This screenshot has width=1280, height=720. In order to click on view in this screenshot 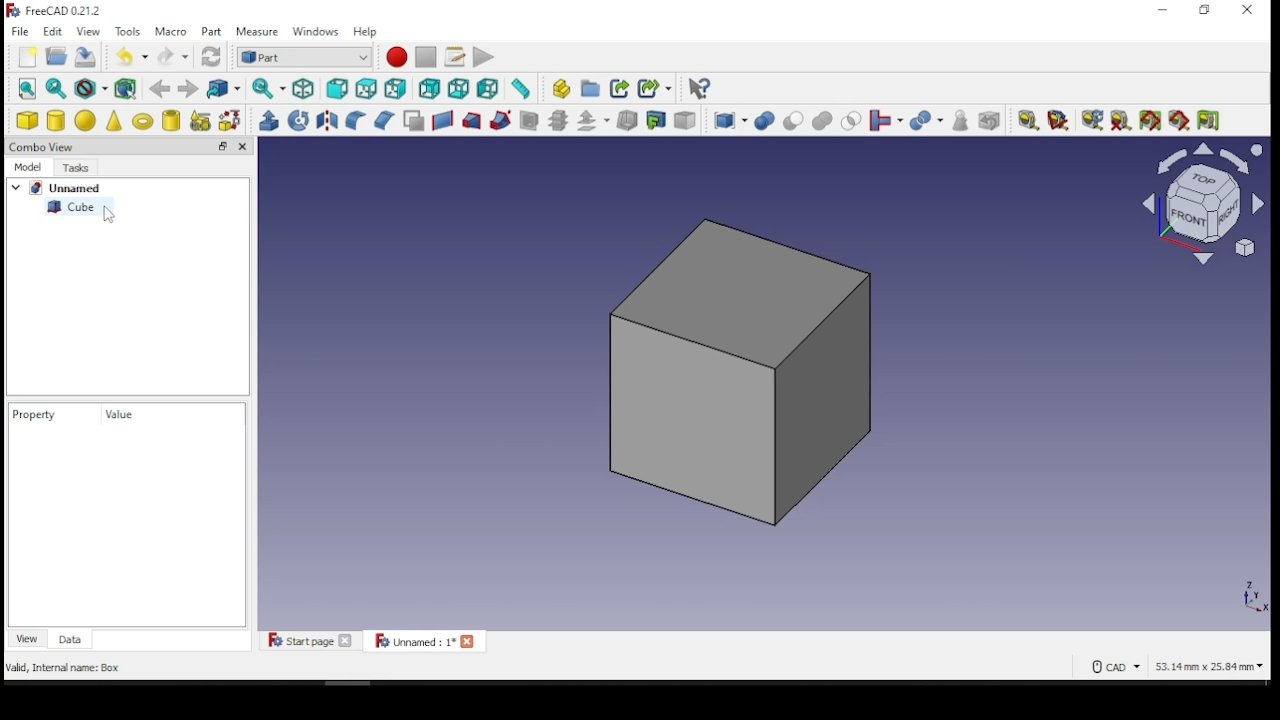, I will do `click(88, 31)`.